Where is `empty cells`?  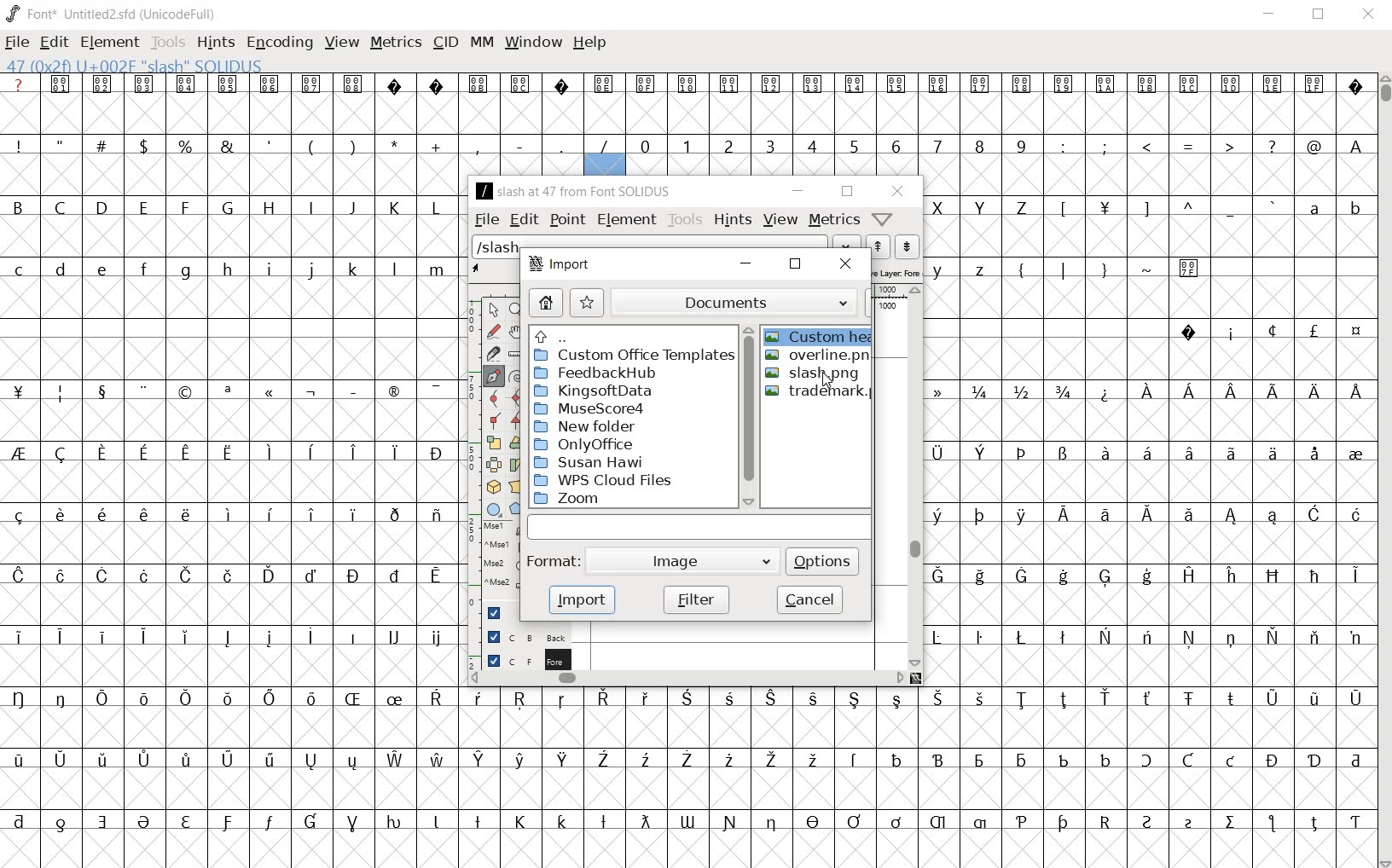 empty cells is located at coordinates (1149, 299).